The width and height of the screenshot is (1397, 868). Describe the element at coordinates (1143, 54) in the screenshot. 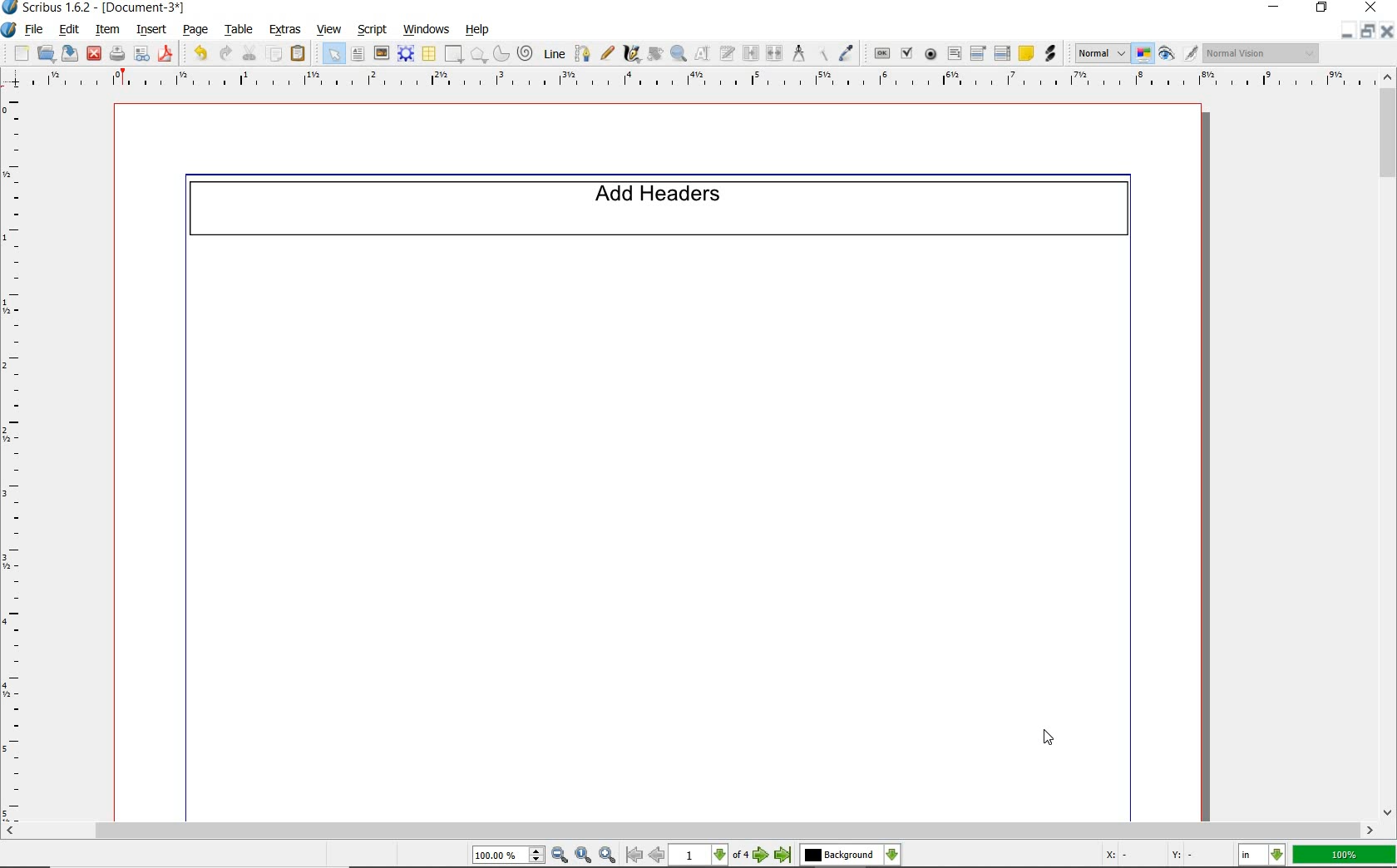

I see `toggle color management` at that location.